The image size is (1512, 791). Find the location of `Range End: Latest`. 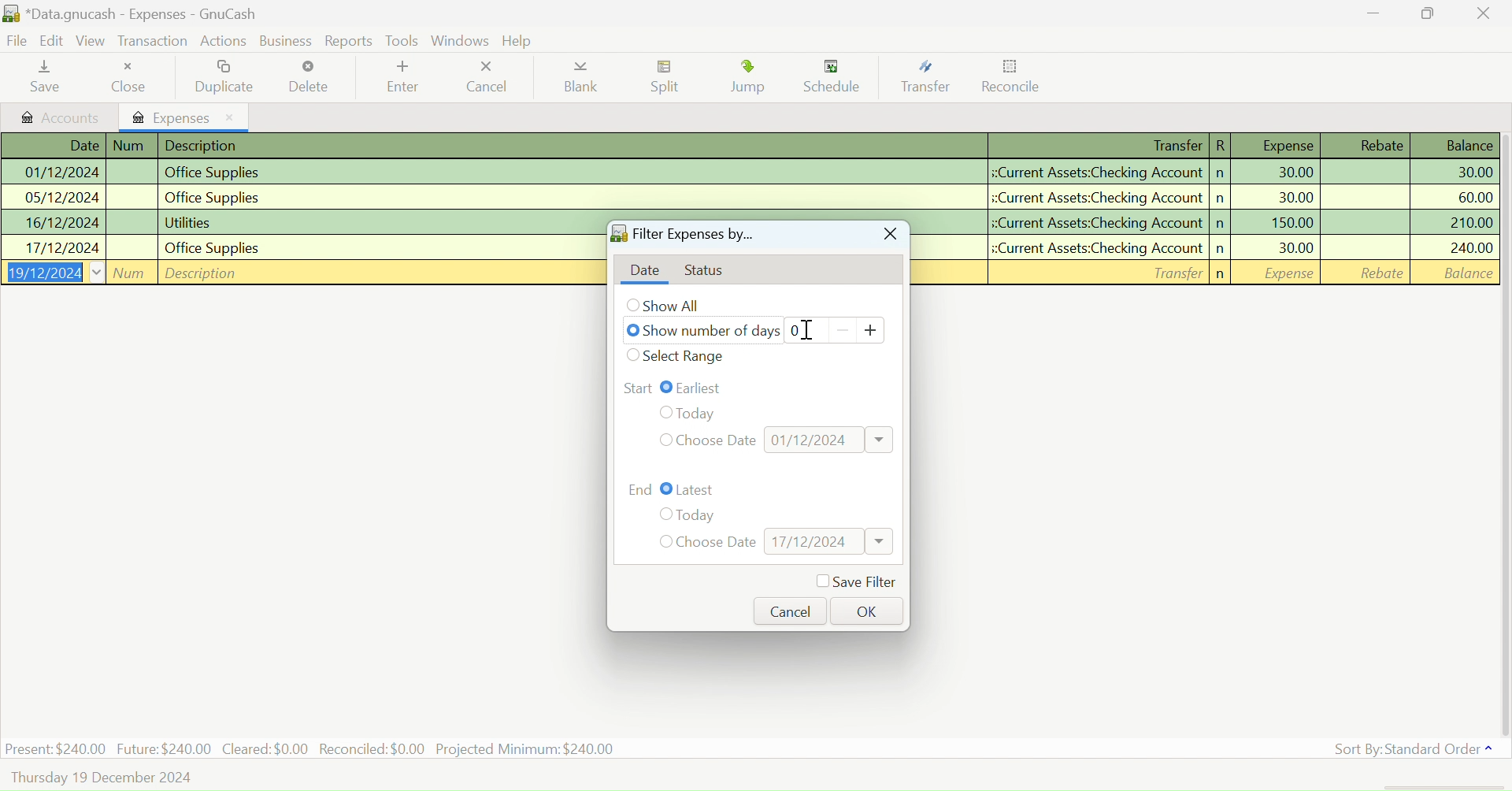

Range End: Latest is located at coordinates (641, 488).